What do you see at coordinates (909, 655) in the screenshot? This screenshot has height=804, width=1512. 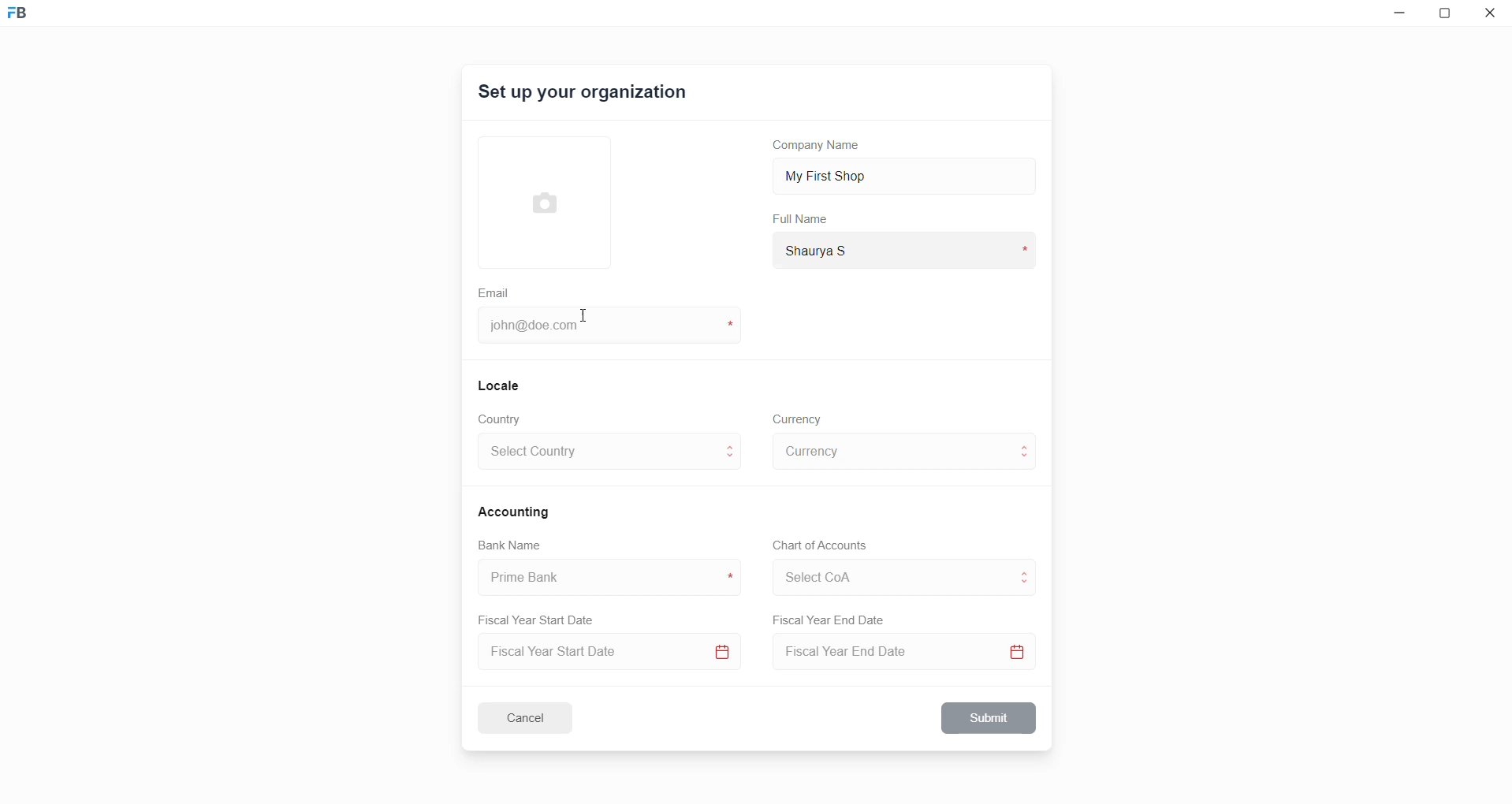 I see `Select Fiscal Year End Date` at bounding box center [909, 655].